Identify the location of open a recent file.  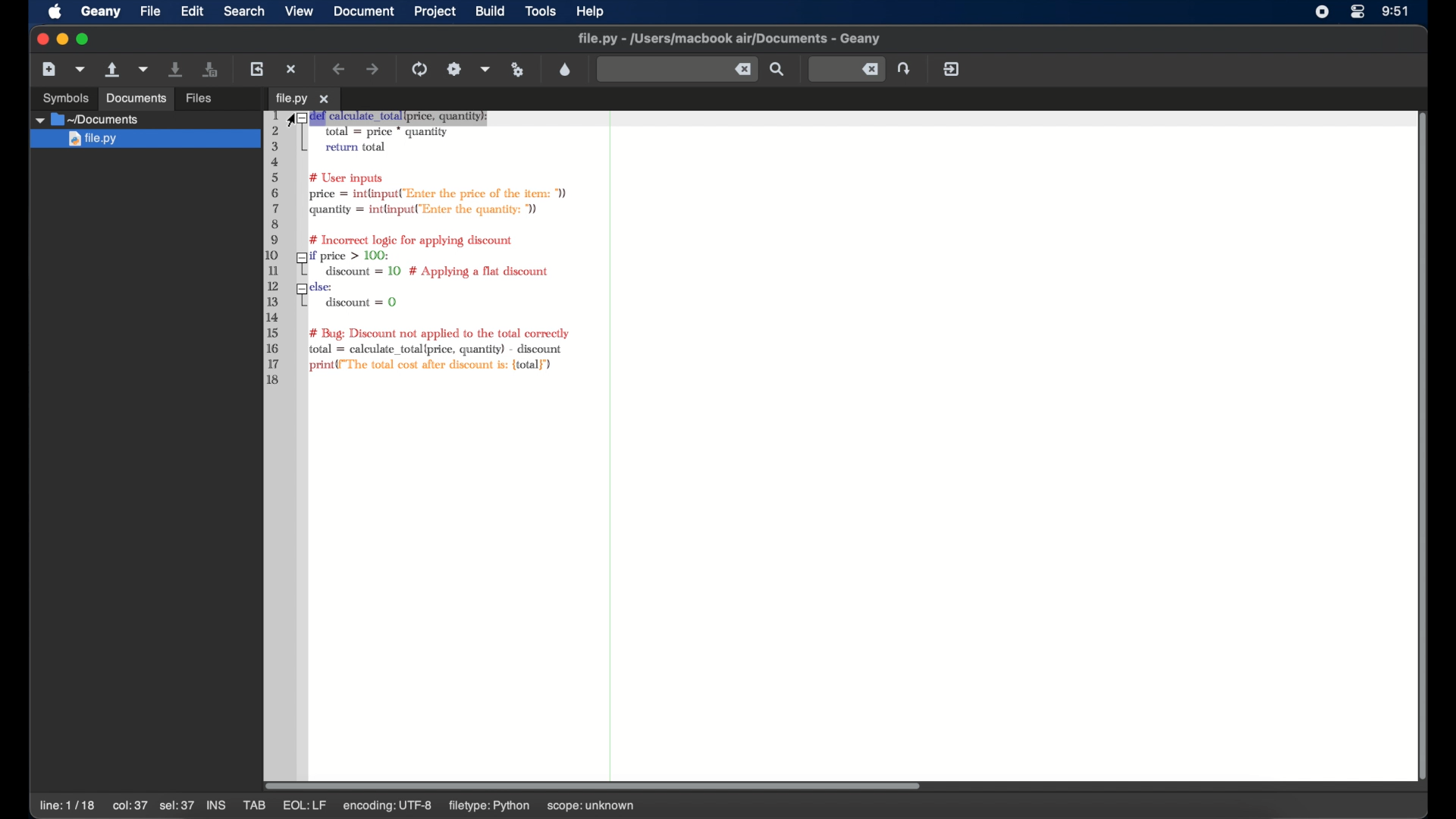
(145, 69).